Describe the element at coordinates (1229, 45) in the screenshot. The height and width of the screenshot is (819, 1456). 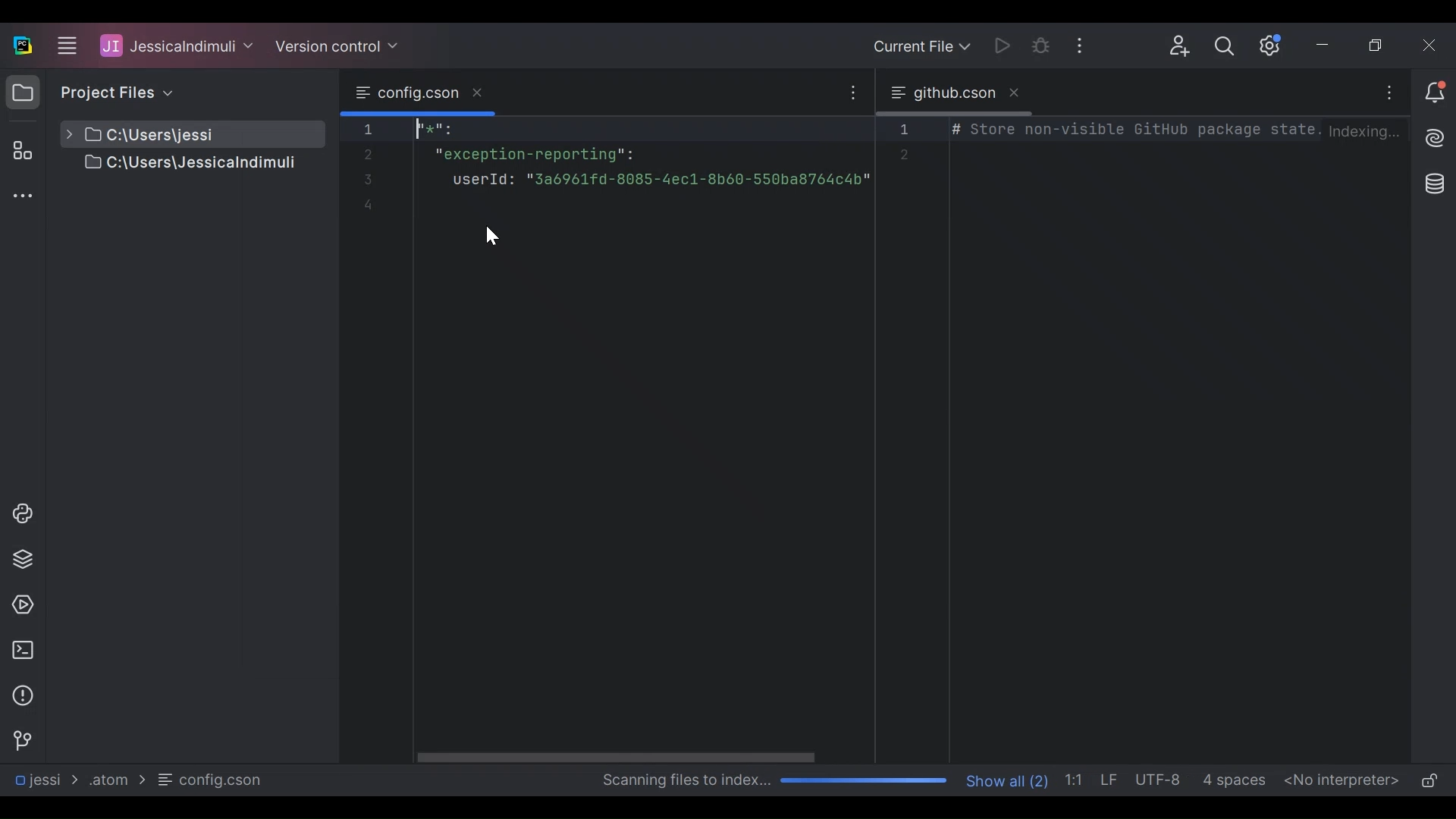
I see `Search` at that location.